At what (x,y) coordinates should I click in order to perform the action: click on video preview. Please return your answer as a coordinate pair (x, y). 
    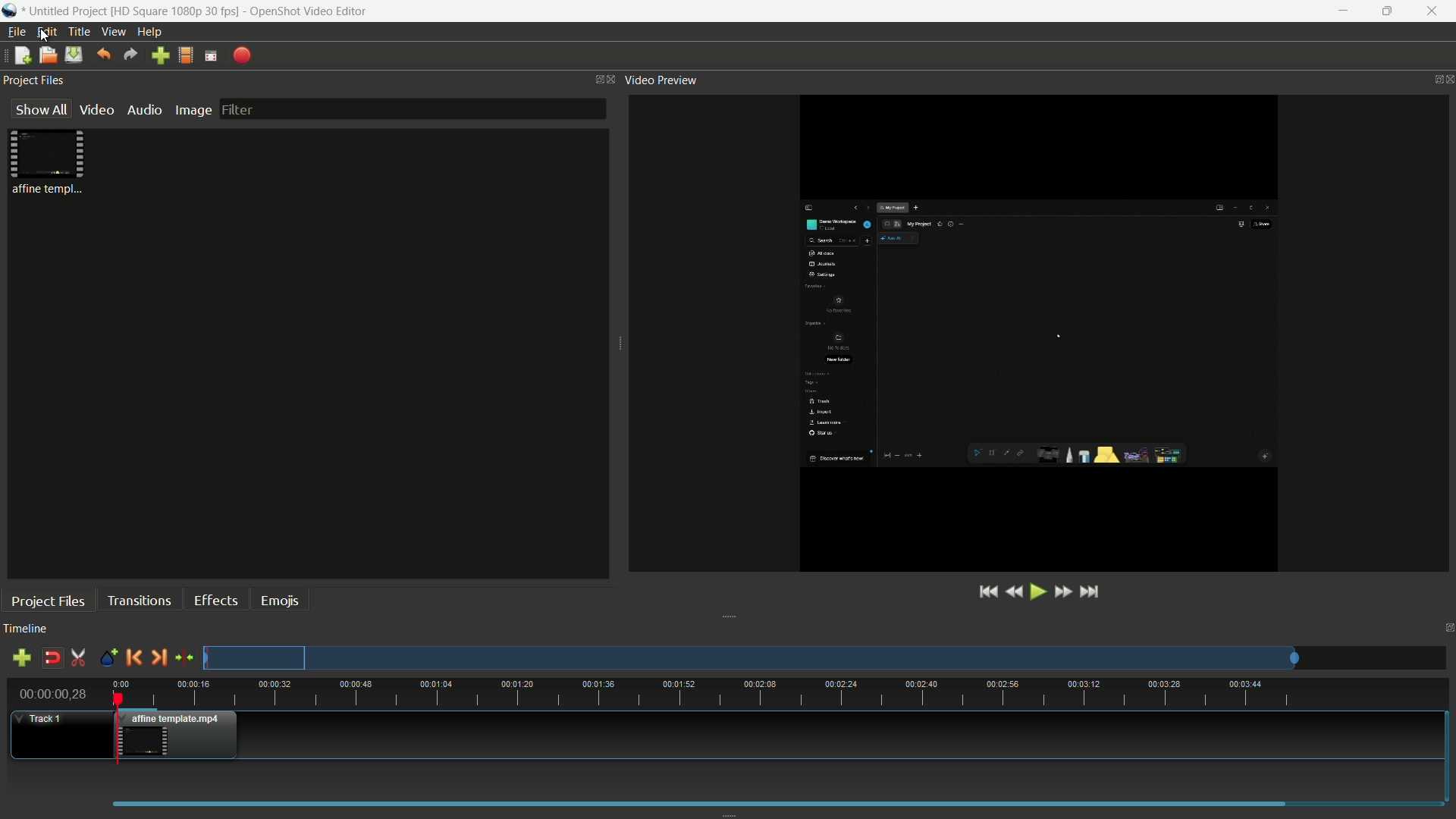
    Looking at the image, I should click on (662, 80).